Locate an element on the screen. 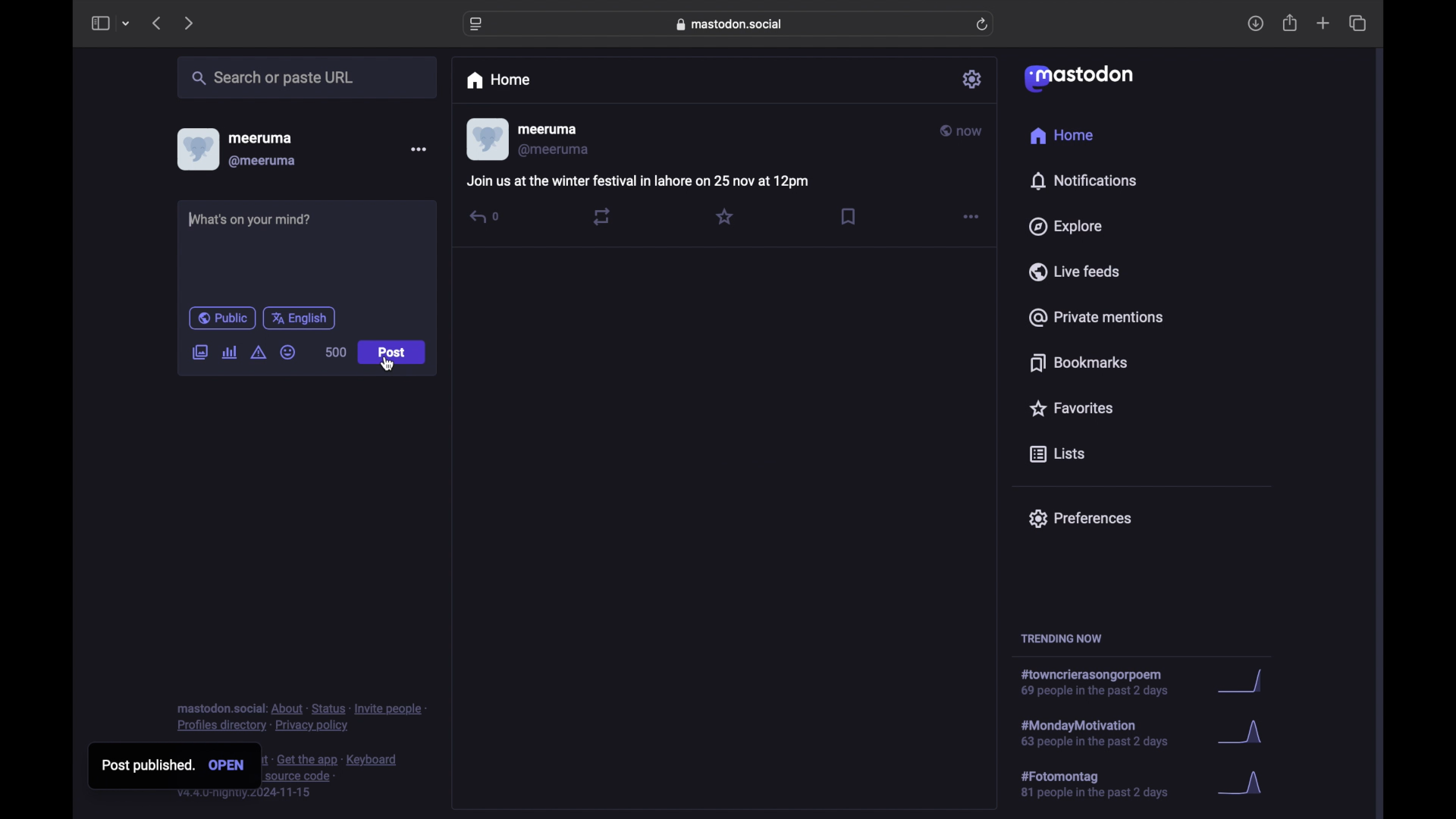 The image size is (1456, 819). @meeruma is located at coordinates (262, 162).